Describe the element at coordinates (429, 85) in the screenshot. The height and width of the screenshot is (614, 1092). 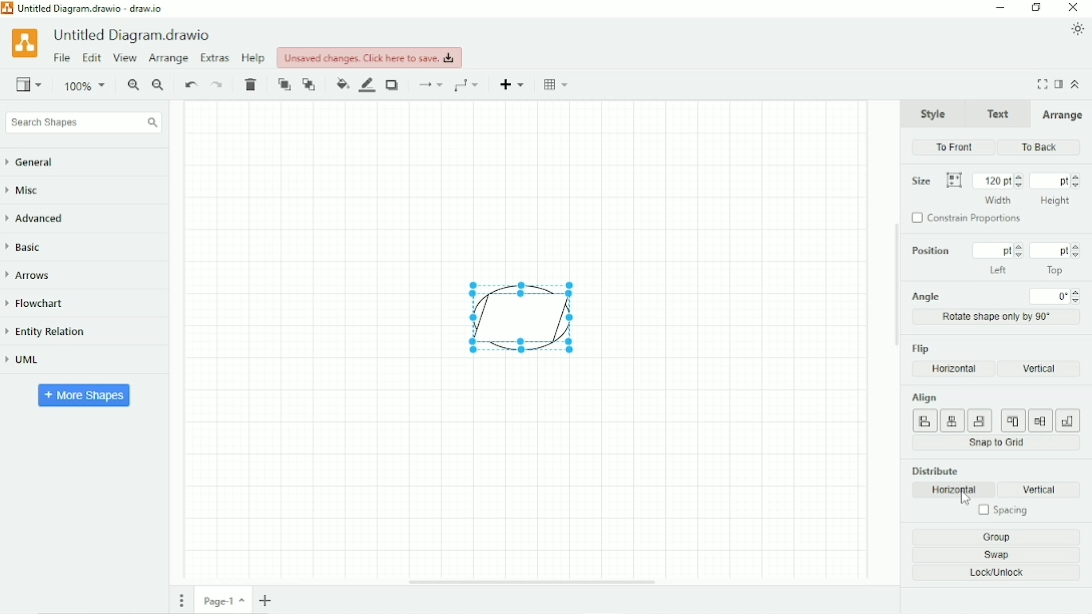
I see `Connection` at that location.